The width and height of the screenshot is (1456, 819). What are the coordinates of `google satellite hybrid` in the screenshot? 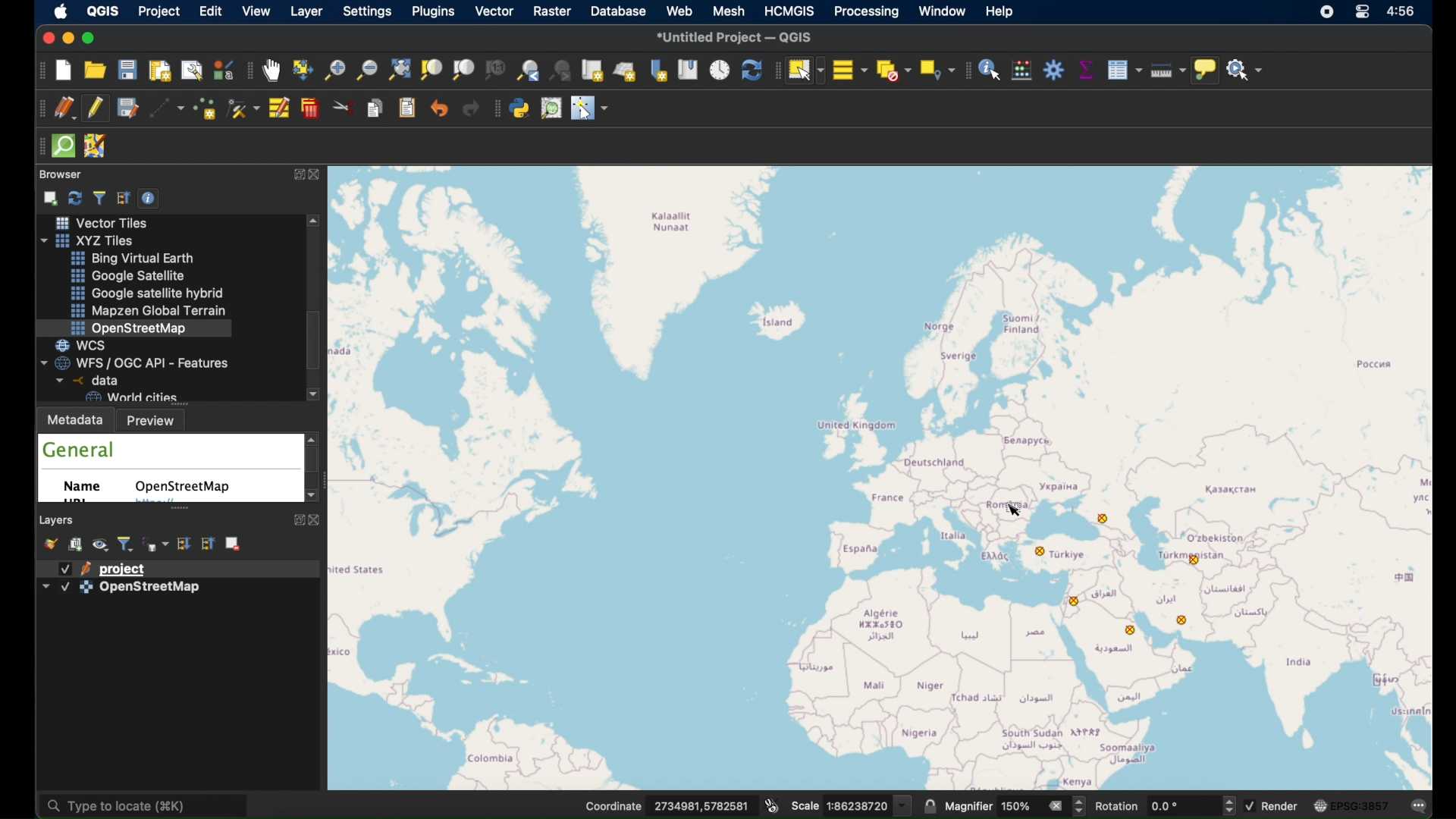 It's located at (145, 293).